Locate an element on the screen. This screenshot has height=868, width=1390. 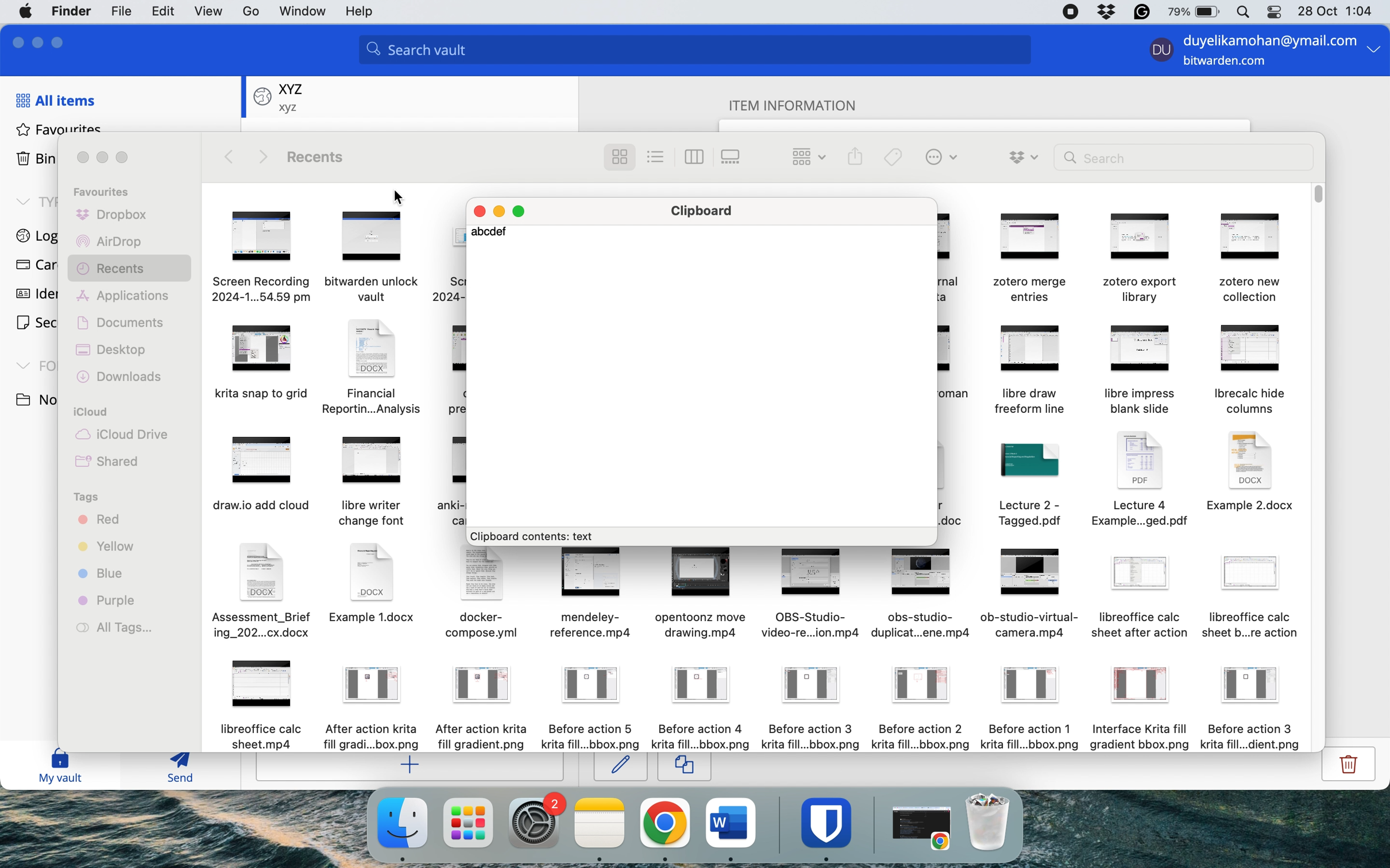
system files is located at coordinates (1132, 371).